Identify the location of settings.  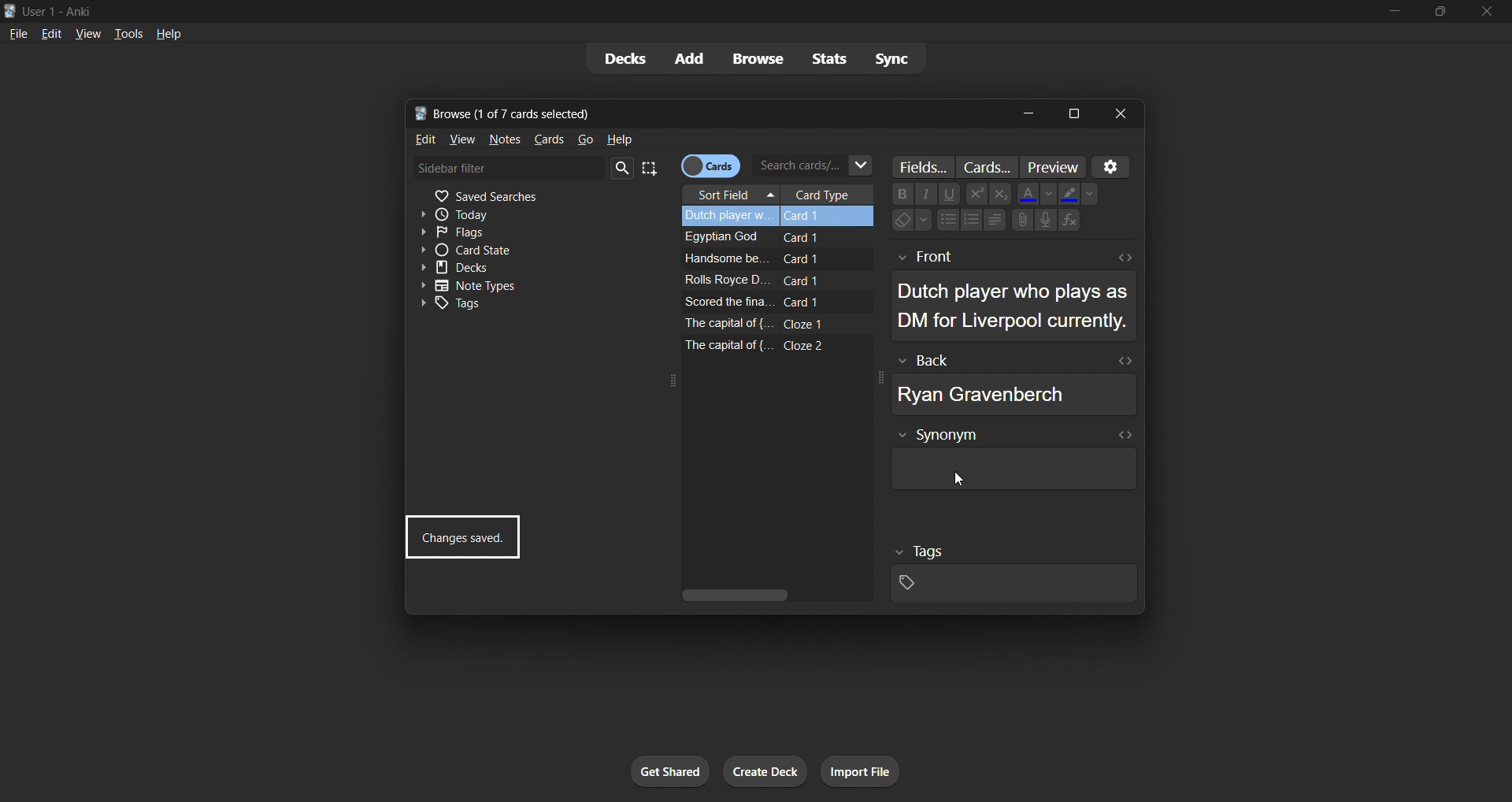
(1111, 168).